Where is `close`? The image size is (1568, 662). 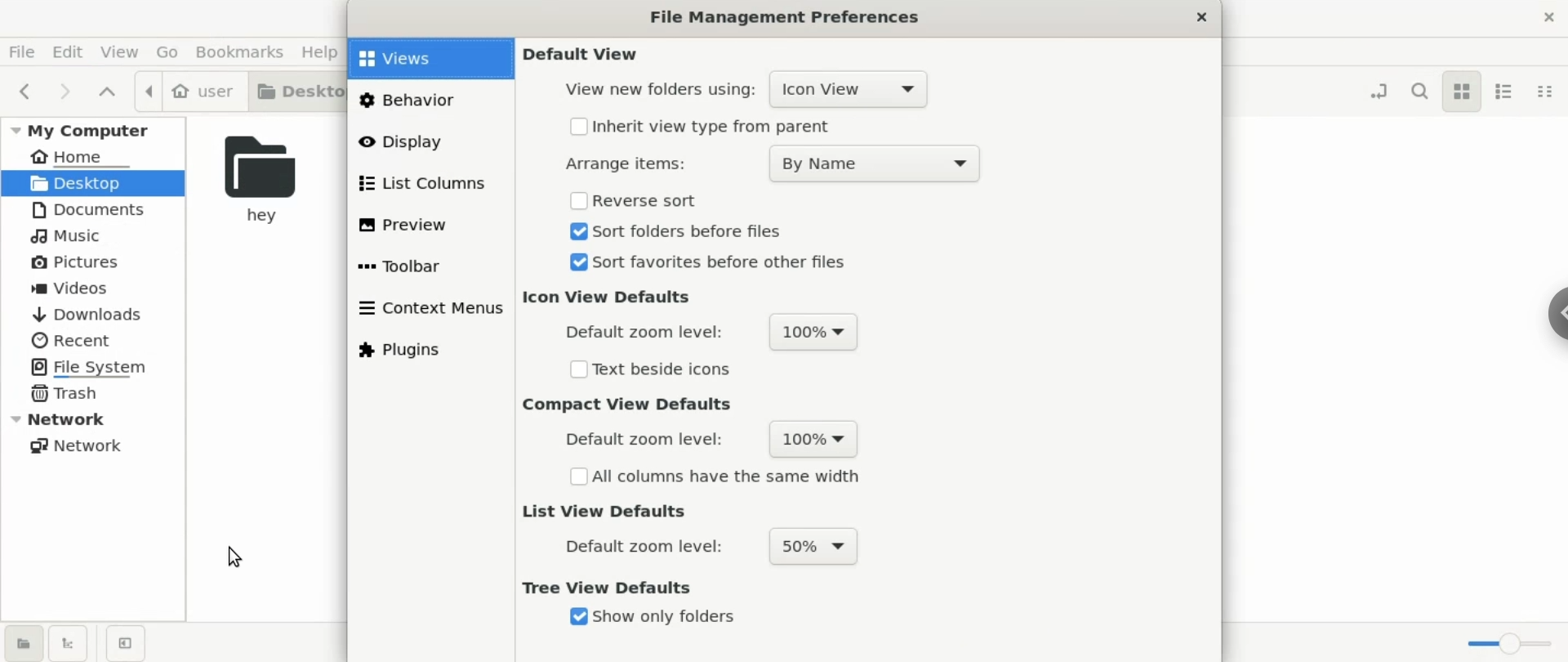
close is located at coordinates (1197, 16).